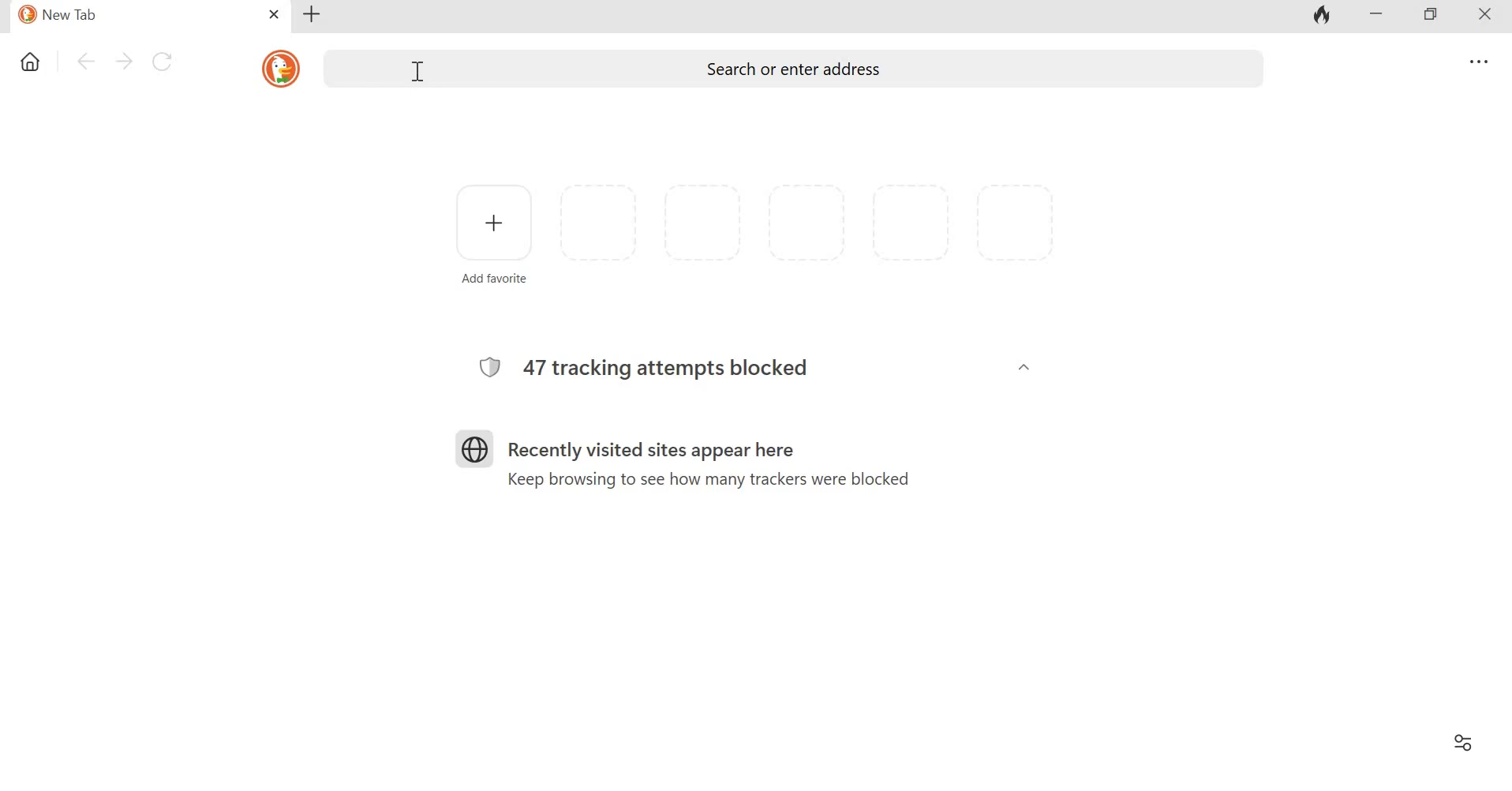  Describe the element at coordinates (418, 73) in the screenshot. I see `Cursor` at that location.